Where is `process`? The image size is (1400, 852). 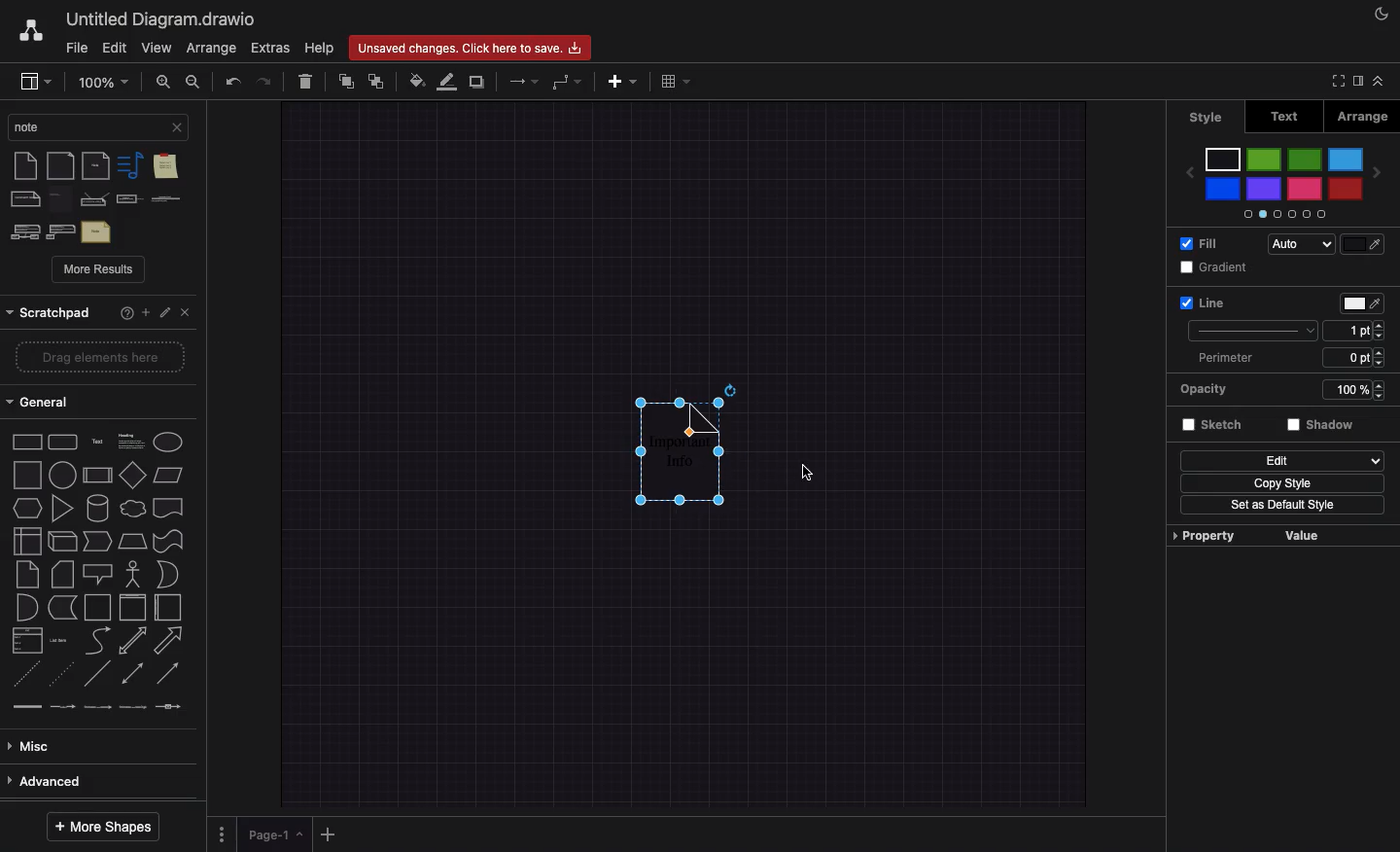 process is located at coordinates (63, 475).